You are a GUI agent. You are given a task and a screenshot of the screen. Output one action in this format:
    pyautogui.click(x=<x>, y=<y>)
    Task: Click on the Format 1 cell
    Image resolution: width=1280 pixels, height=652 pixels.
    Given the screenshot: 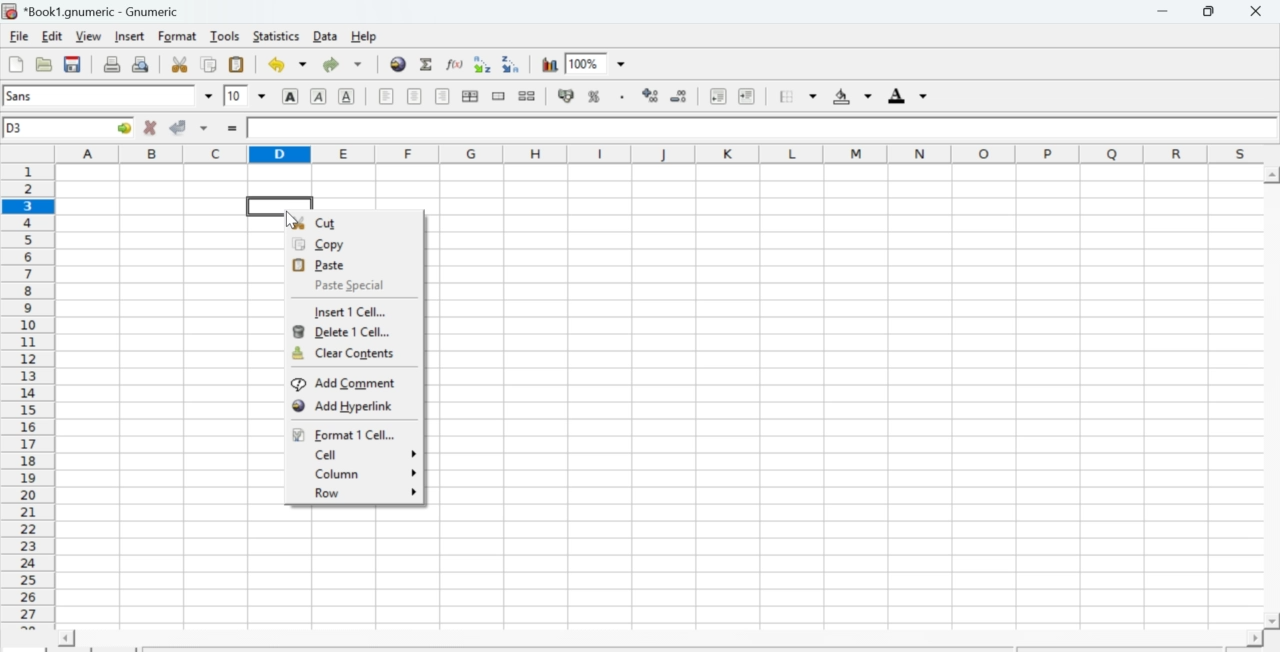 What is the action you would take?
    pyautogui.click(x=346, y=435)
    